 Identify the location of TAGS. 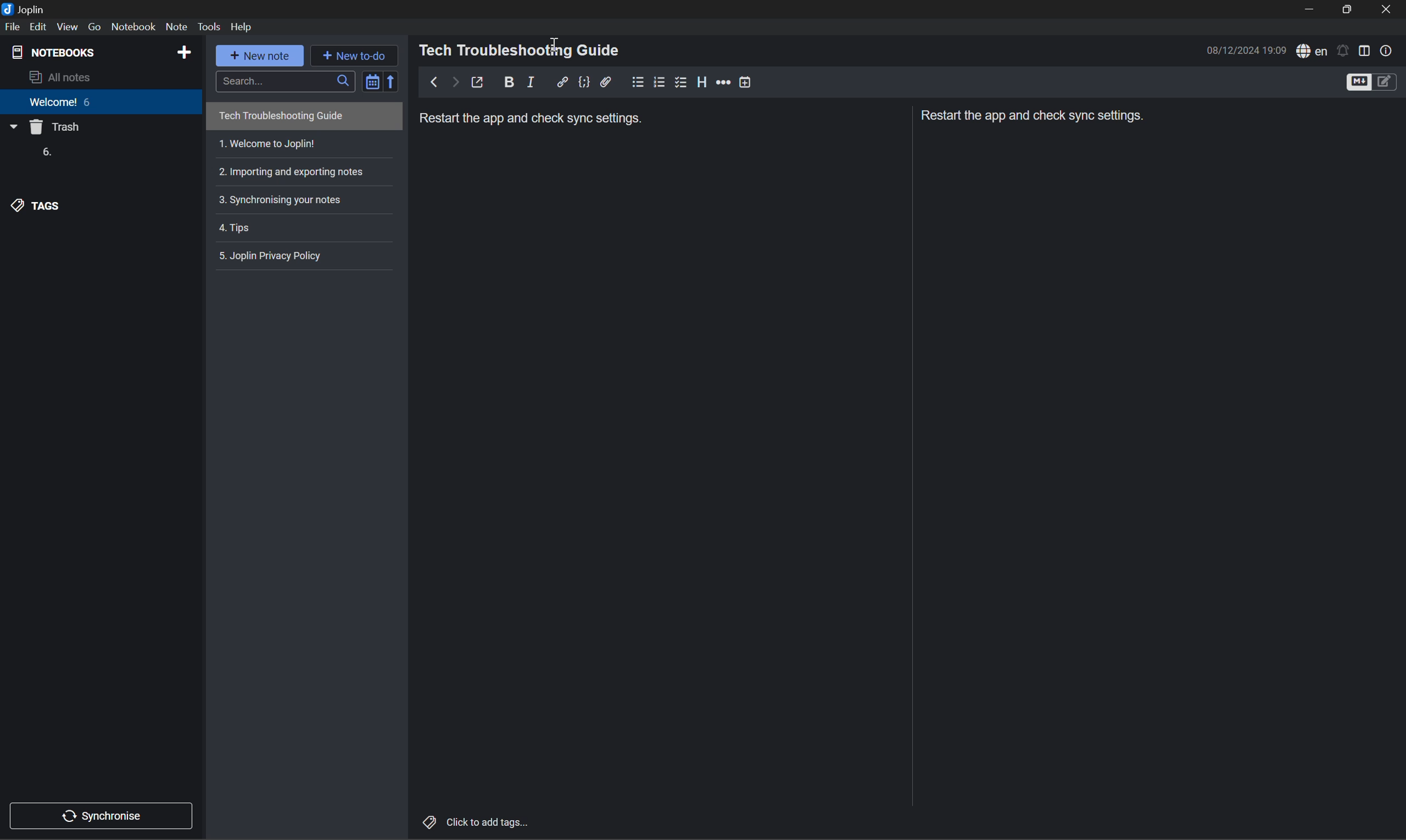
(39, 205).